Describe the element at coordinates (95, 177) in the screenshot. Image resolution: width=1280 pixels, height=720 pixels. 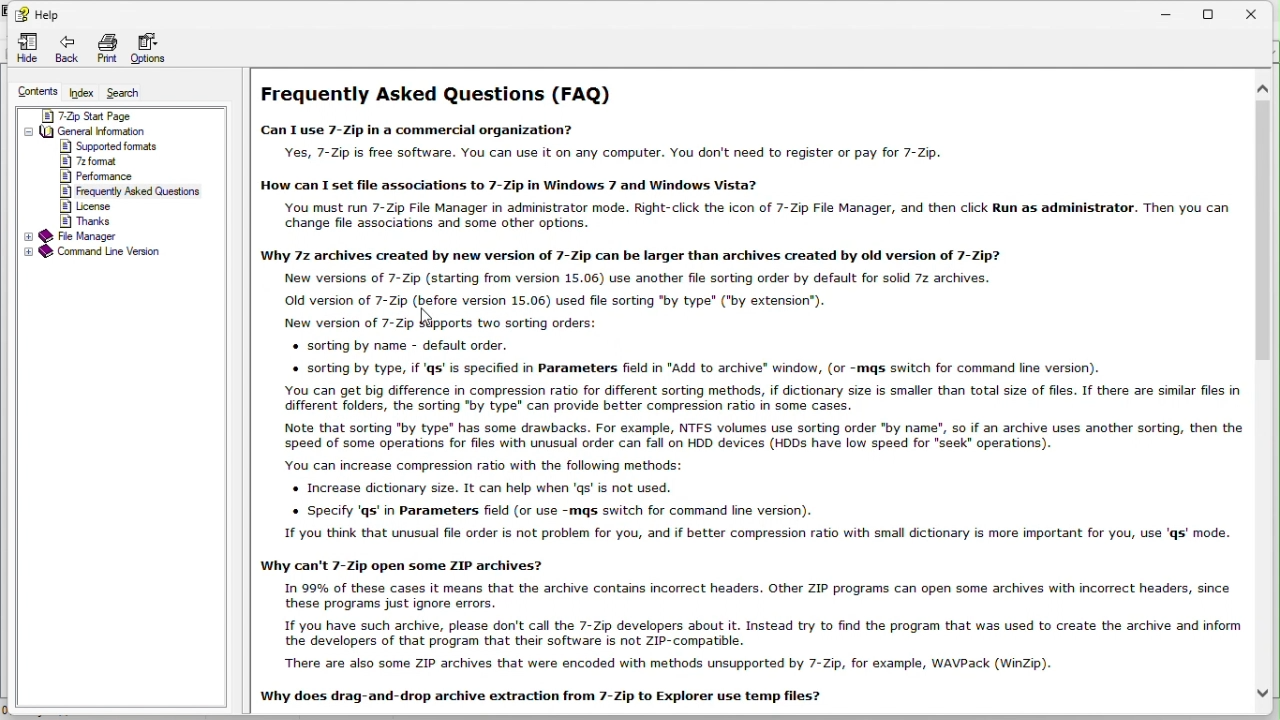
I see `performance` at that location.